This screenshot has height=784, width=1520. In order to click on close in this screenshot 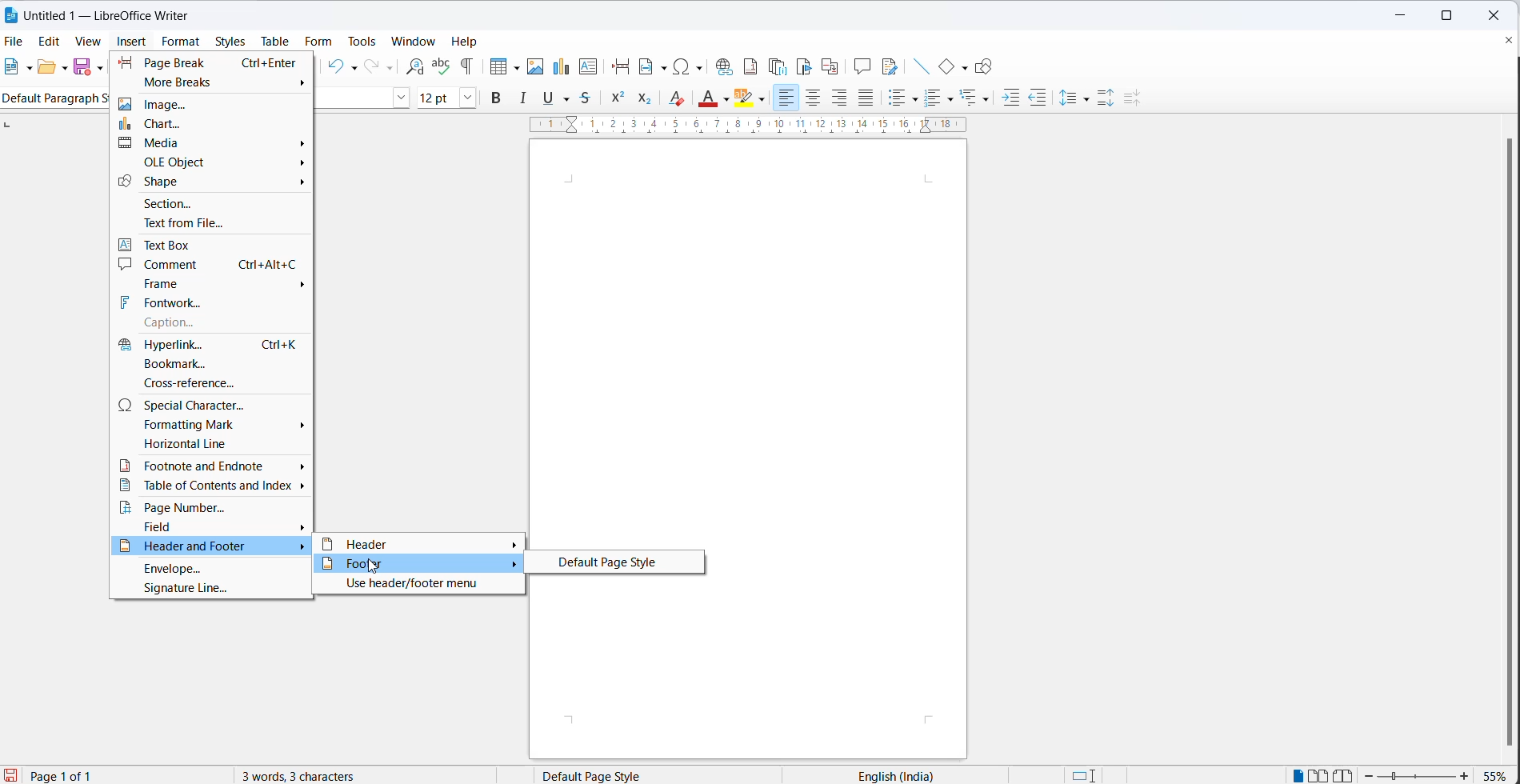, I will do `click(1501, 40)`.